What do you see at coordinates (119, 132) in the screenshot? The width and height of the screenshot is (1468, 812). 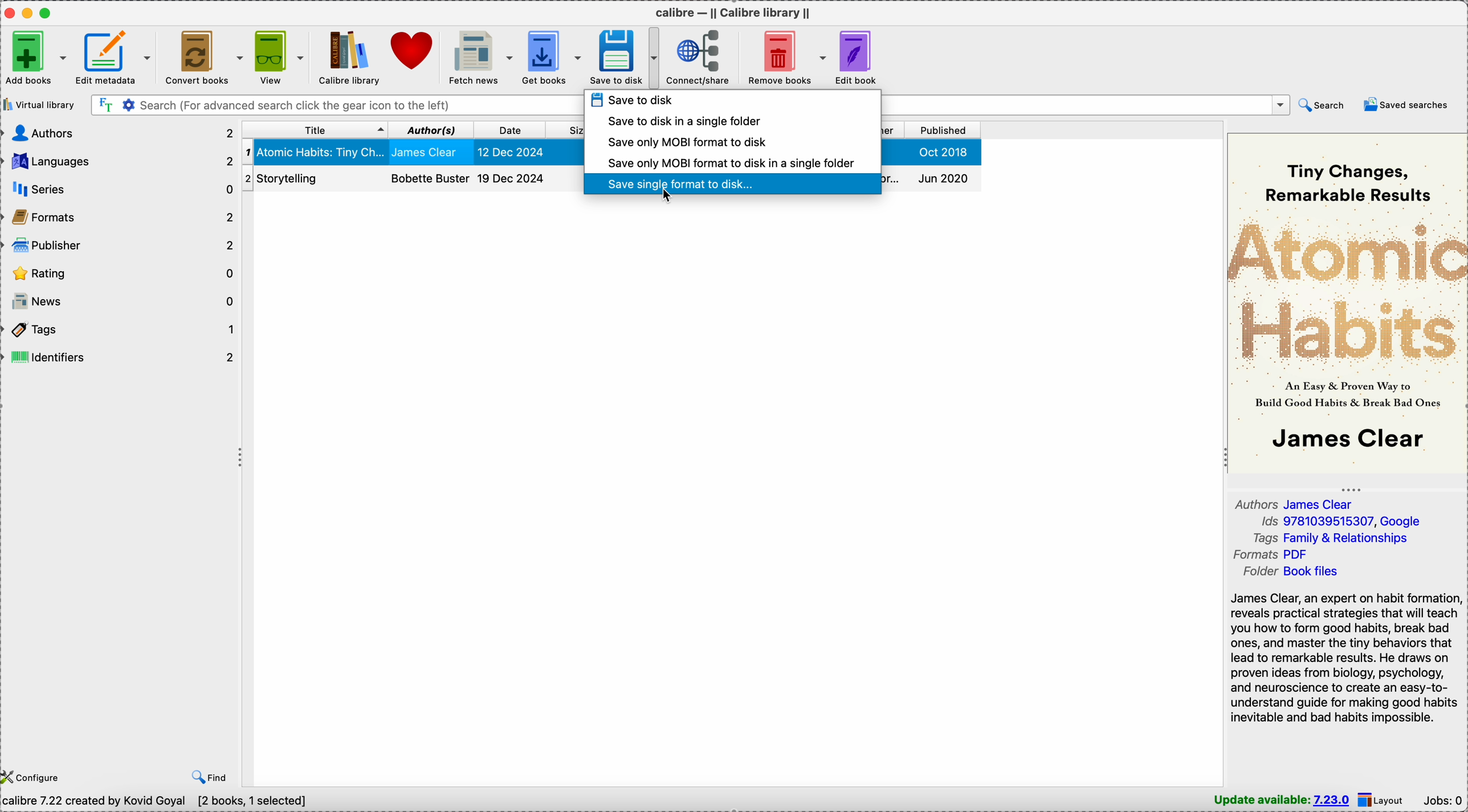 I see `authors` at bounding box center [119, 132].